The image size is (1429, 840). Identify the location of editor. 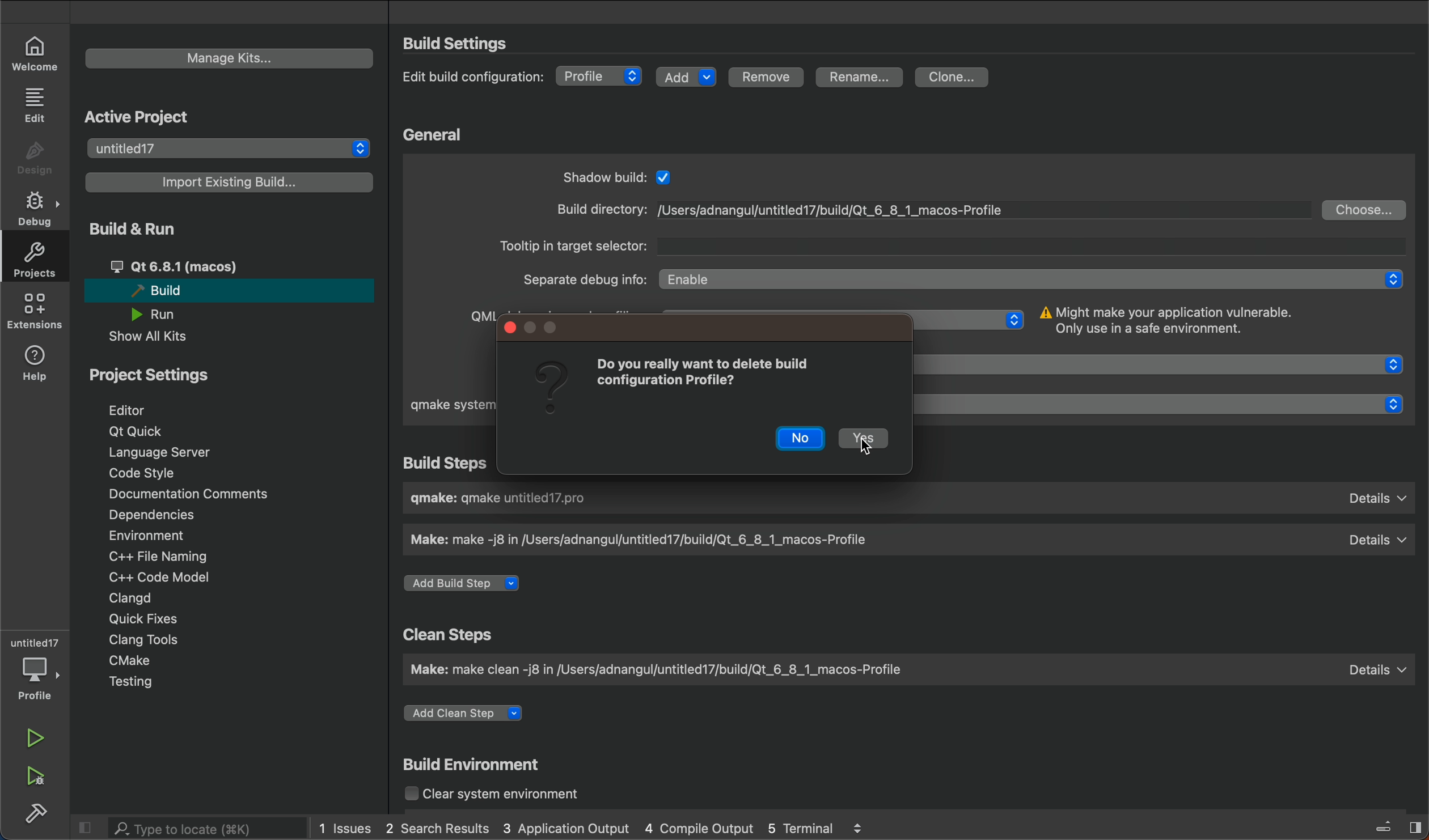
(142, 411).